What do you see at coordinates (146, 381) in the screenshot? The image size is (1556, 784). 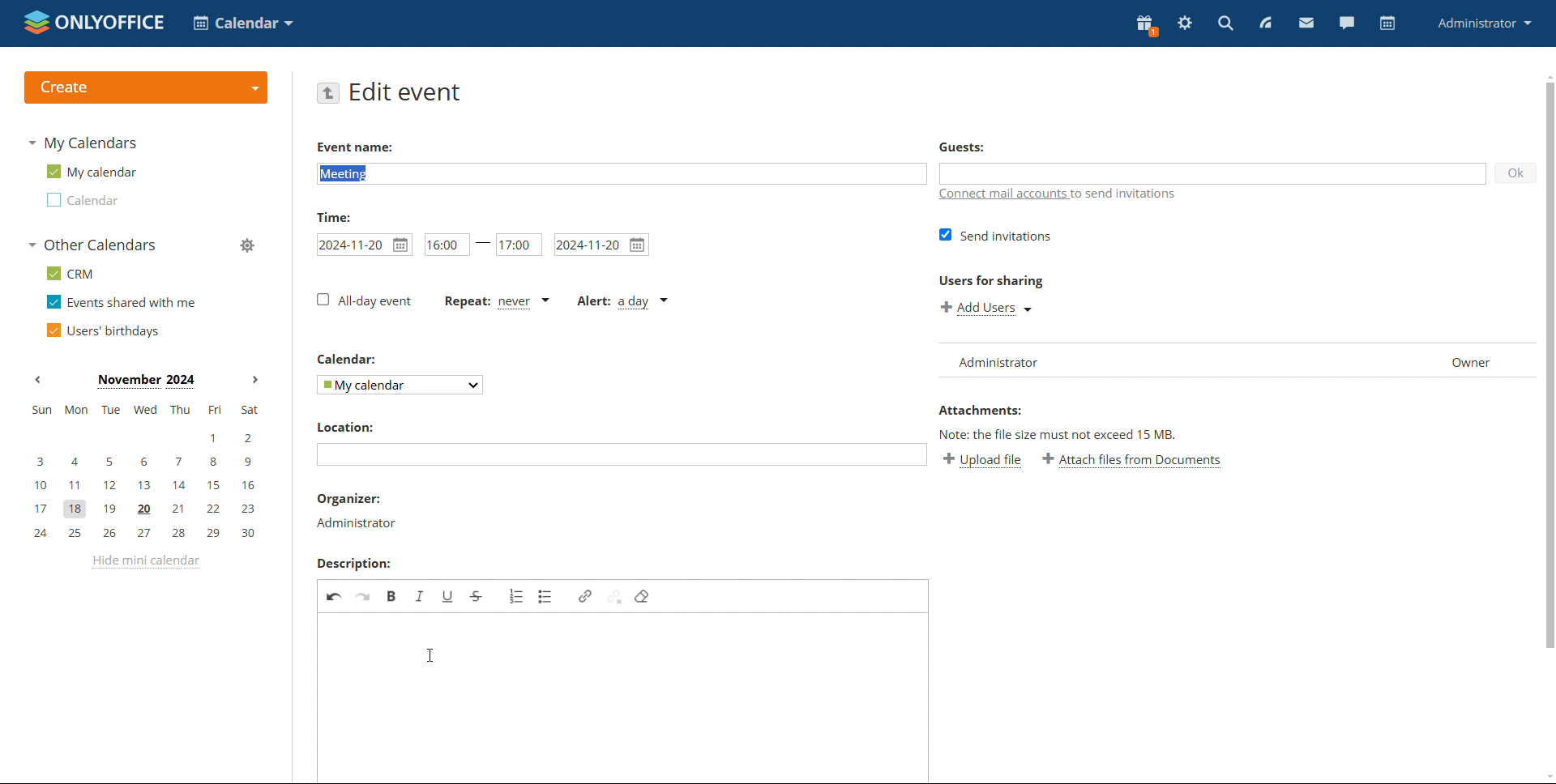 I see `month on display` at bounding box center [146, 381].